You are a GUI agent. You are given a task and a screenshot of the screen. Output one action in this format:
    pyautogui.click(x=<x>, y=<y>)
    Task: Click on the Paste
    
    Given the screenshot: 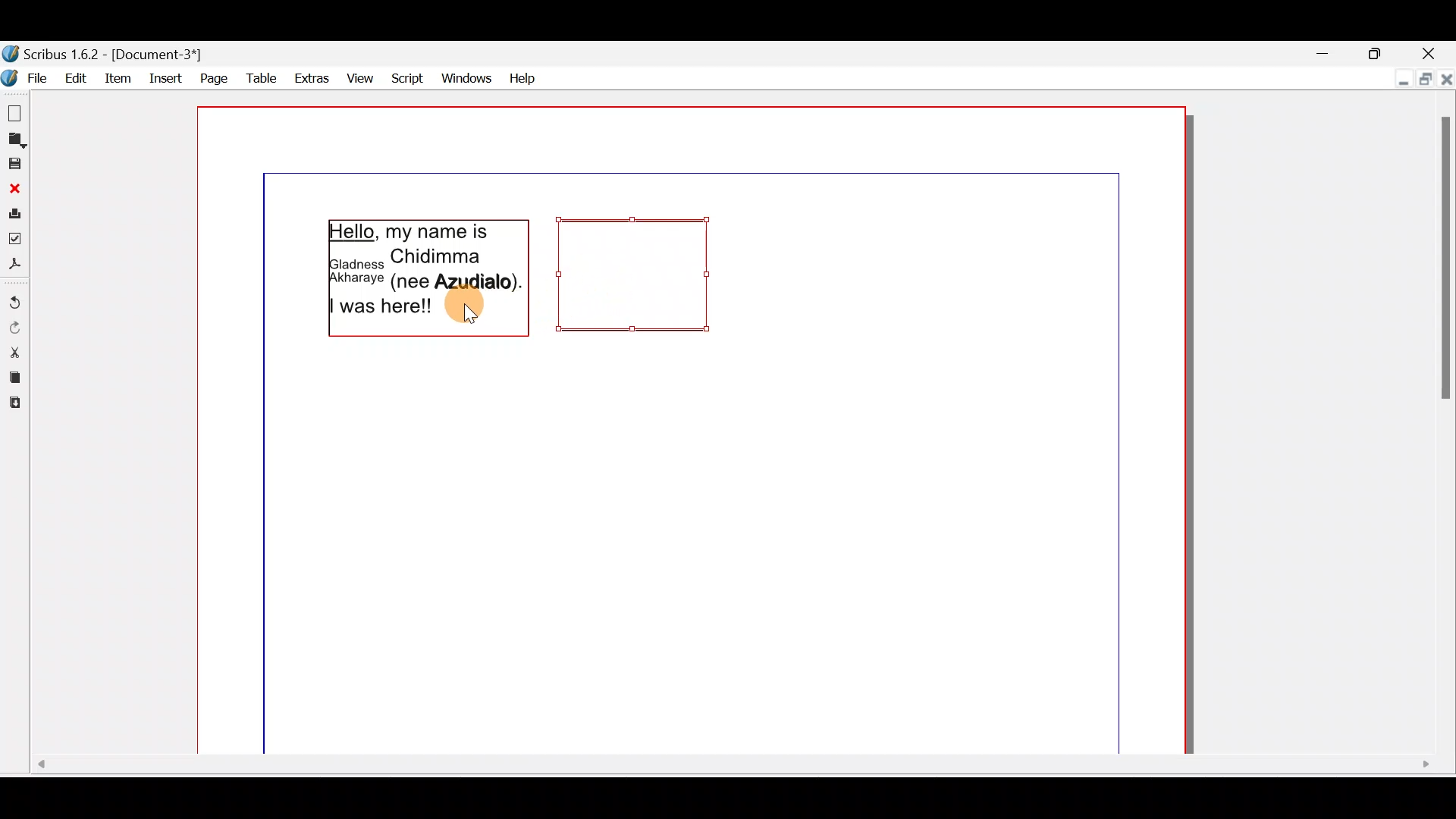 What is the action you would take?
    pyautogui.click(x=15, y=406)
    